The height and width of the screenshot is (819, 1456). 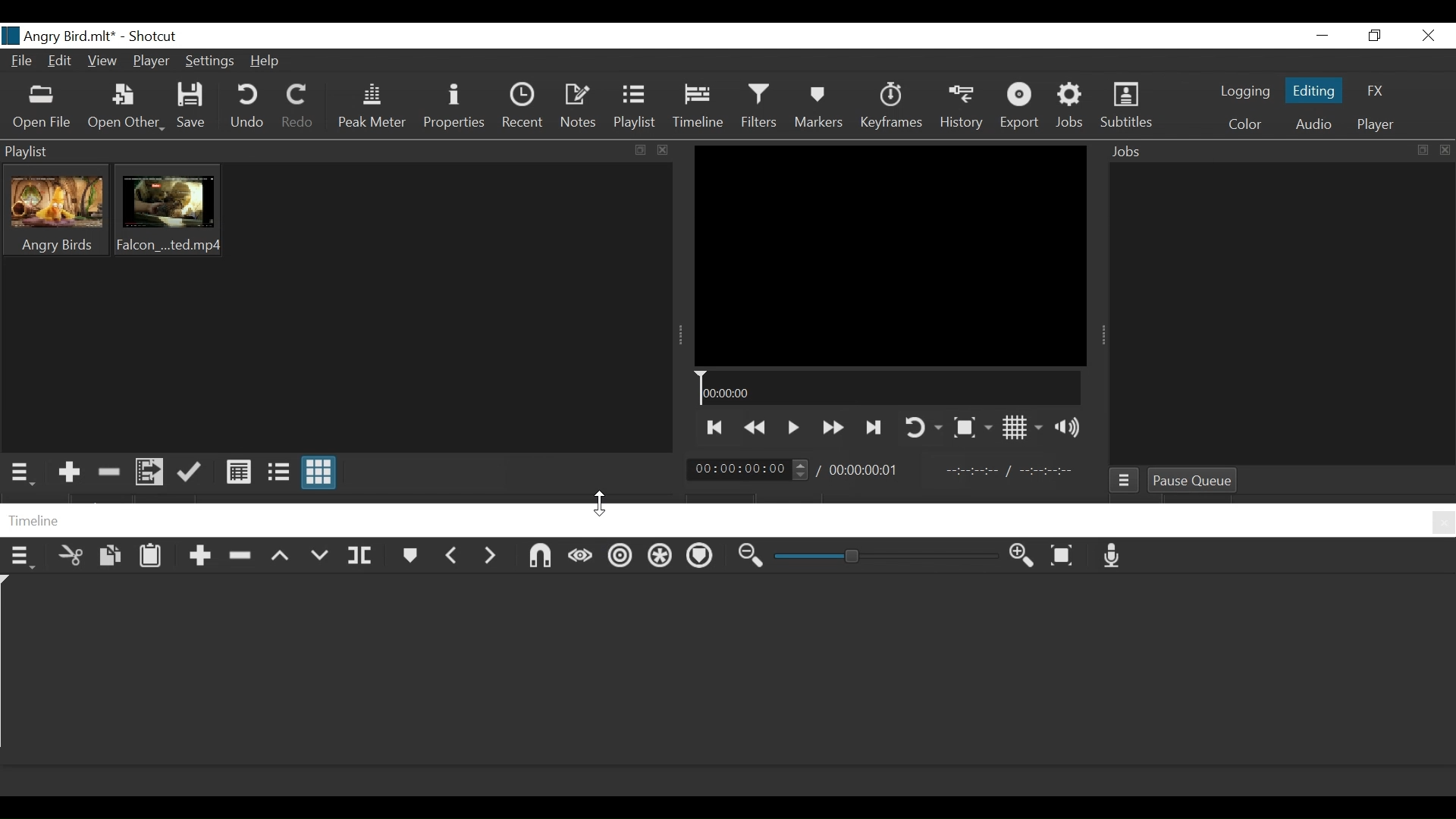 I want to click on Cursor, so click(x=599, y=501).